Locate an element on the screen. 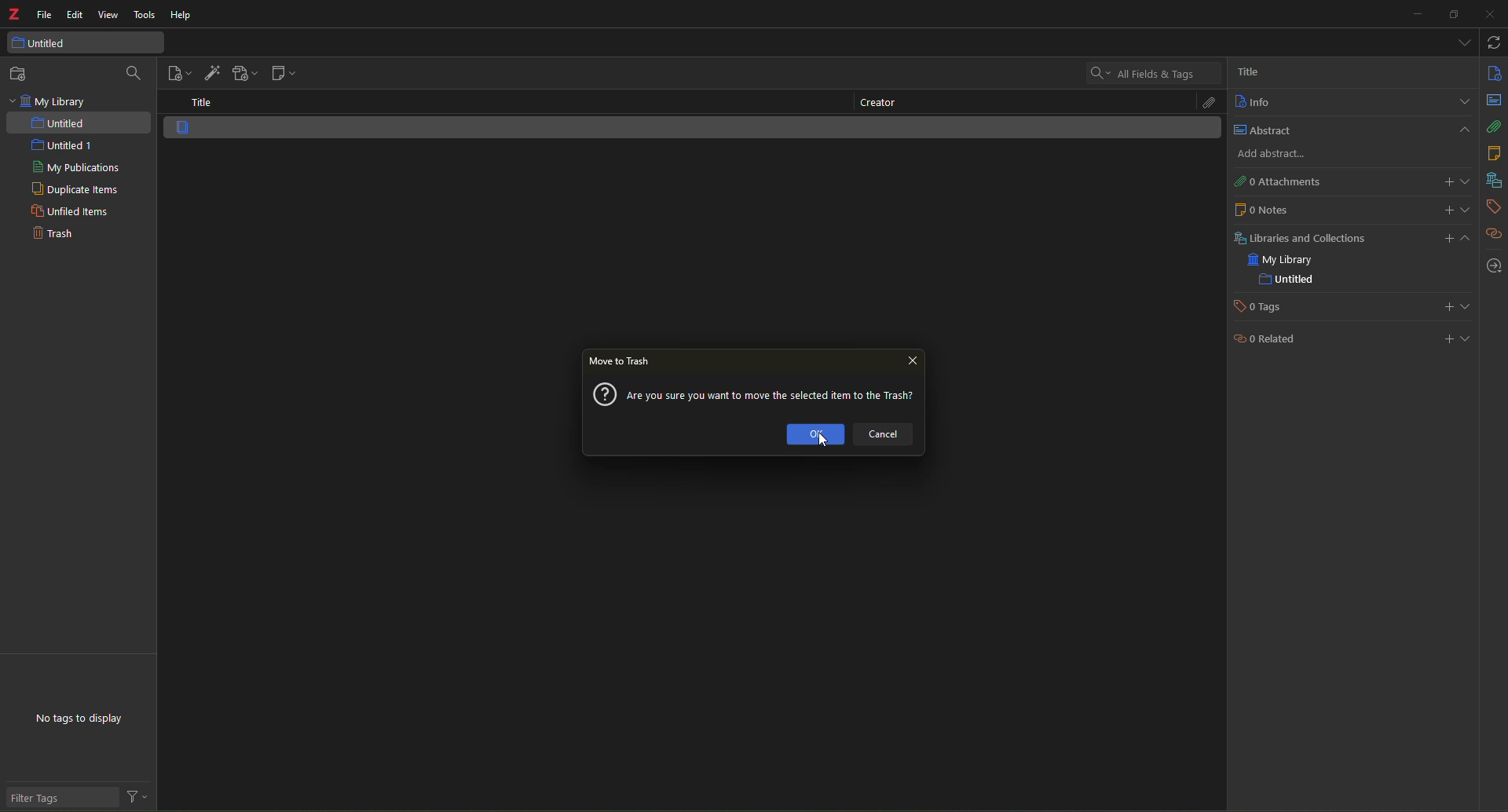 The image size is (1508, 812). abstract is located at coordinates (1495, 100).